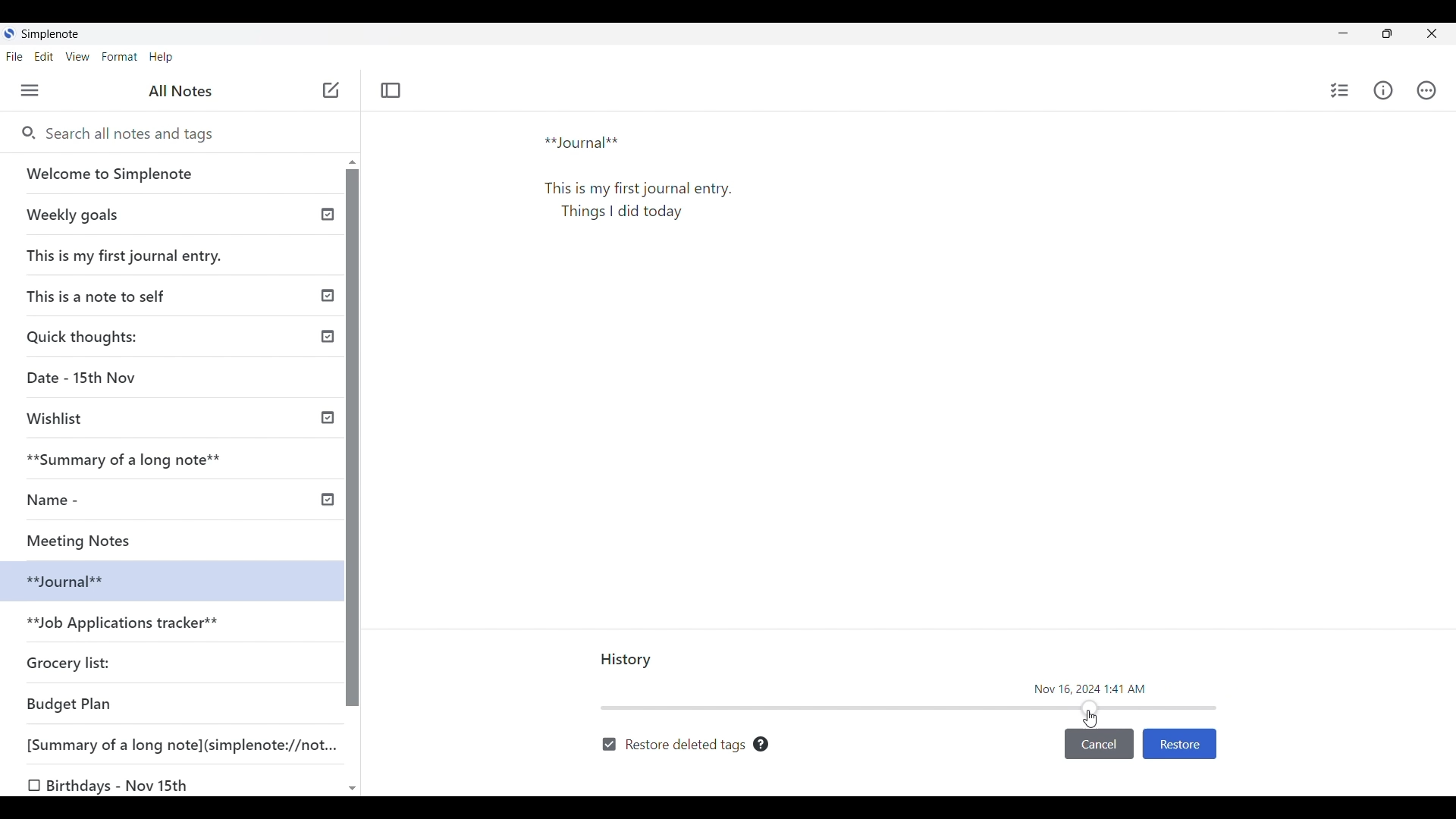 The height and width of the screenshot is (819, 1456). I want to click on Edit menu, so click(44, 57).